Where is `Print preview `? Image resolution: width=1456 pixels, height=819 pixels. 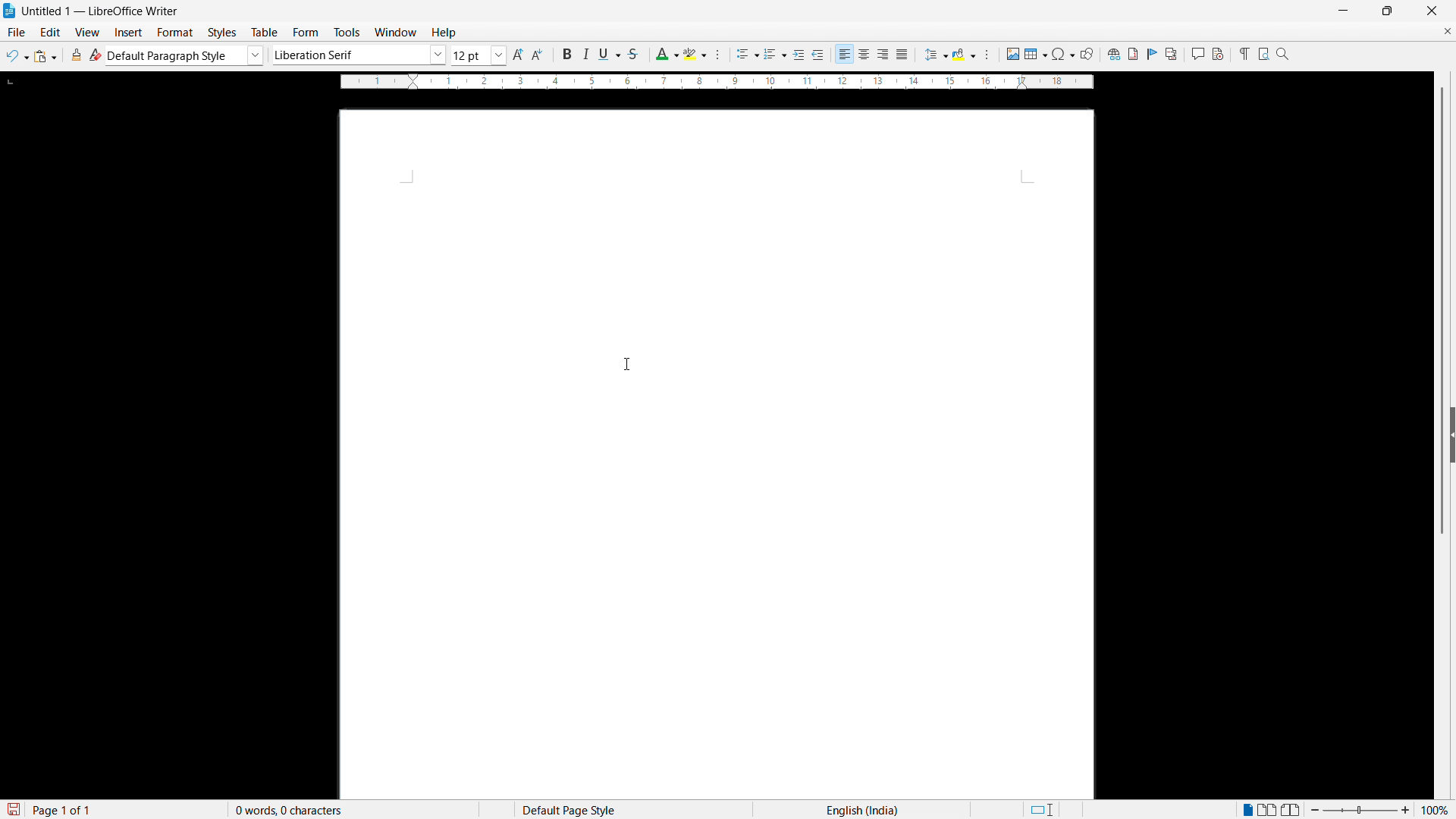 Print preview  is located at coordinates (1263, 52).